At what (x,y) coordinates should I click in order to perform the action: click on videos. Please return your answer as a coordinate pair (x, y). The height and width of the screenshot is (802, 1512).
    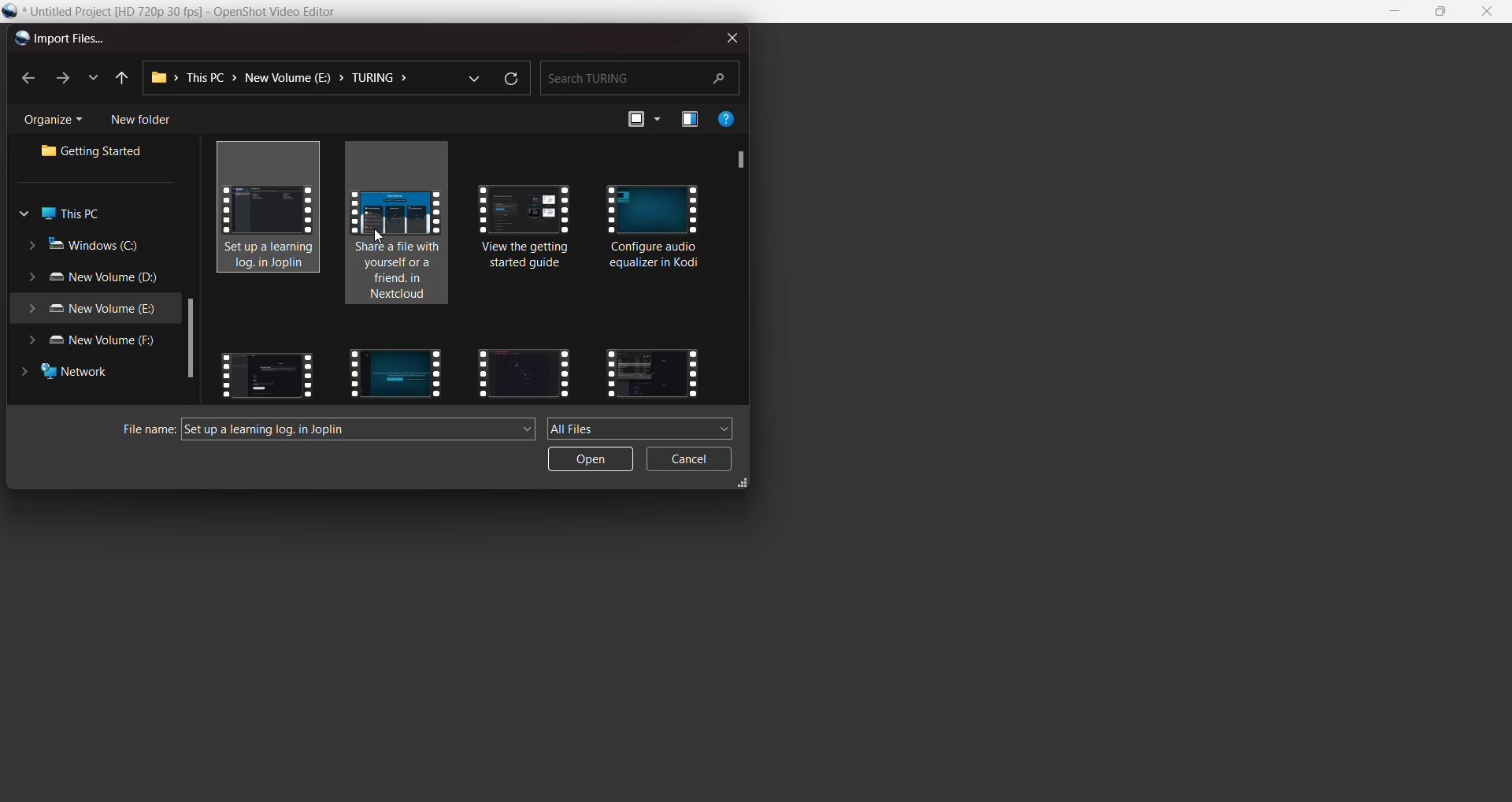
    Looking at the image, I should click on (267, 371).